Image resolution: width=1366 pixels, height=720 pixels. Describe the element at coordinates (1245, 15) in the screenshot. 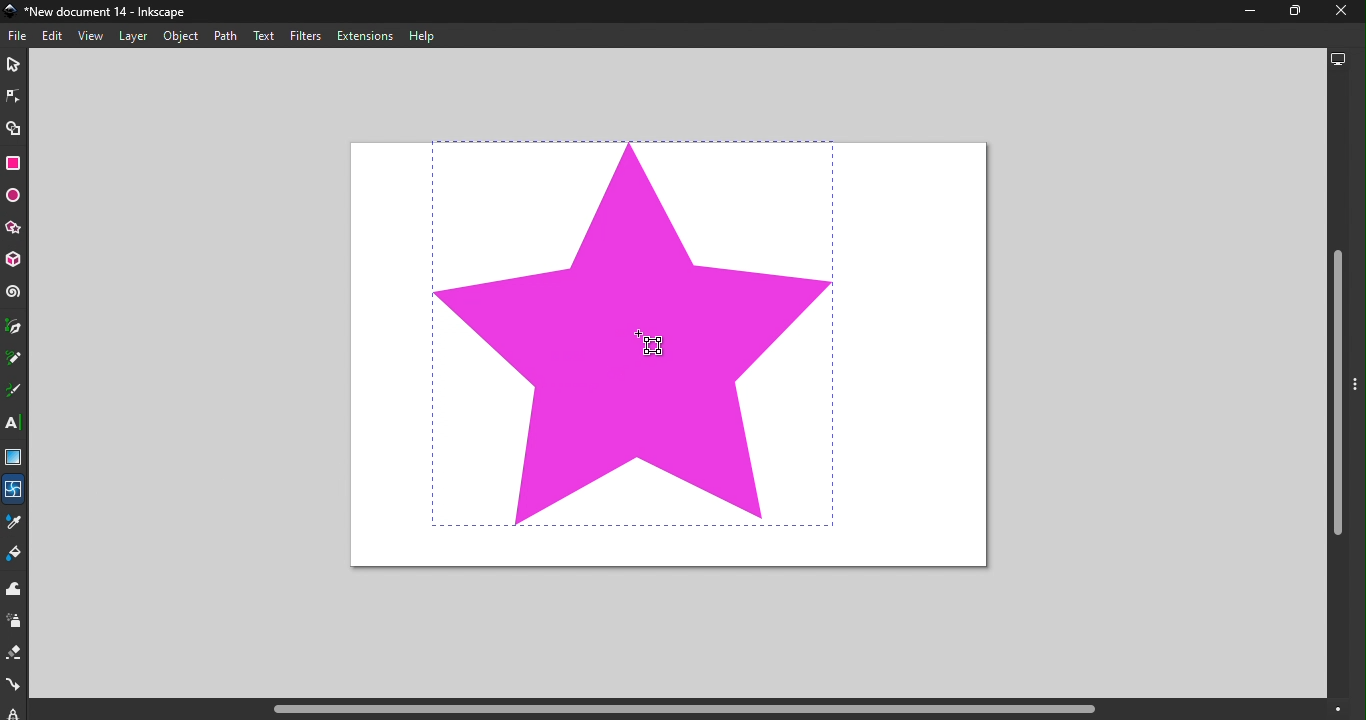

I see `Minimize` at that location.